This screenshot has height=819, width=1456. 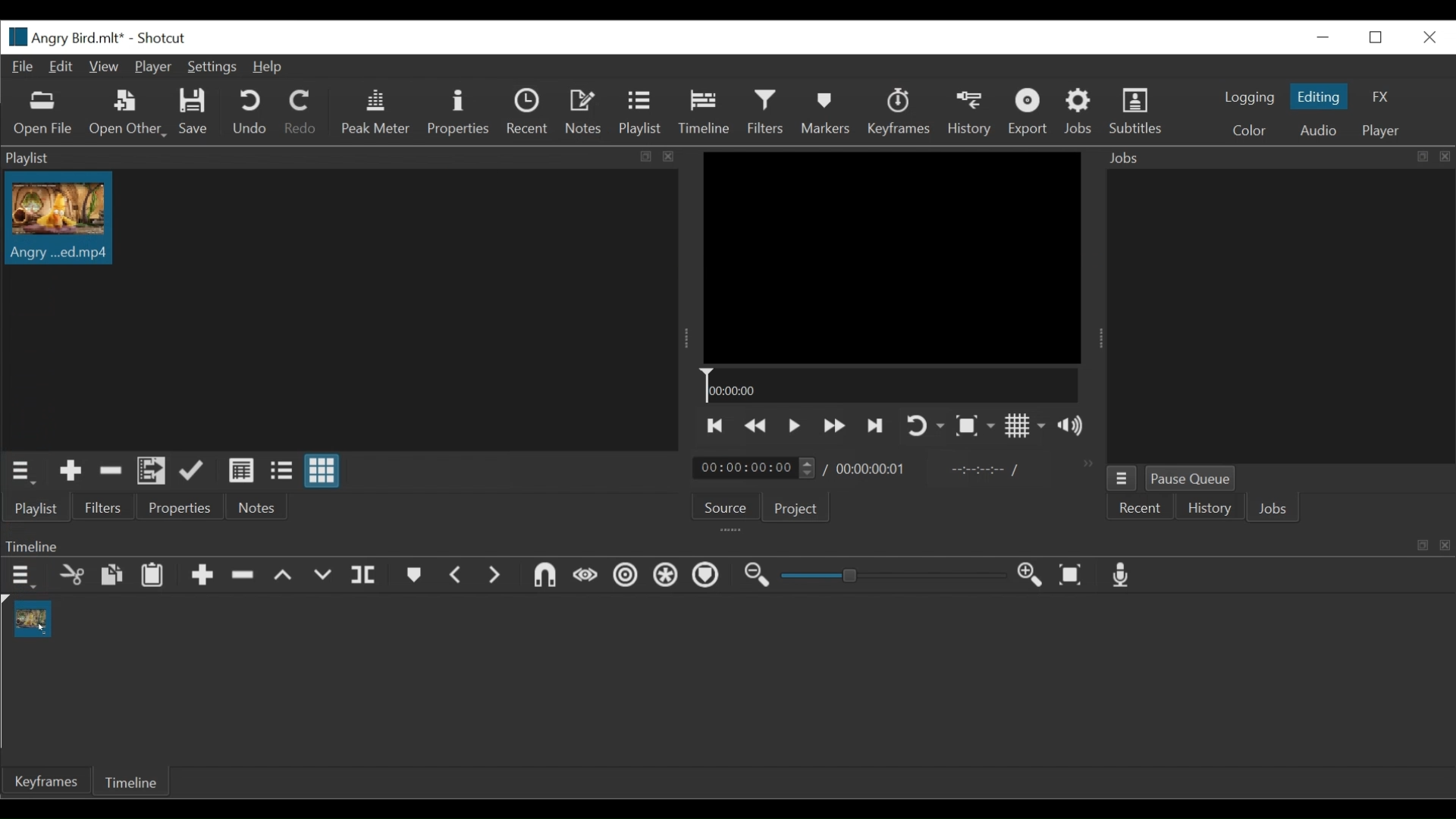 What do you see at coordinates (794, 426) in the screenshot?
I see `Toggle play or pause (space)` at bounding box center [794, 426].